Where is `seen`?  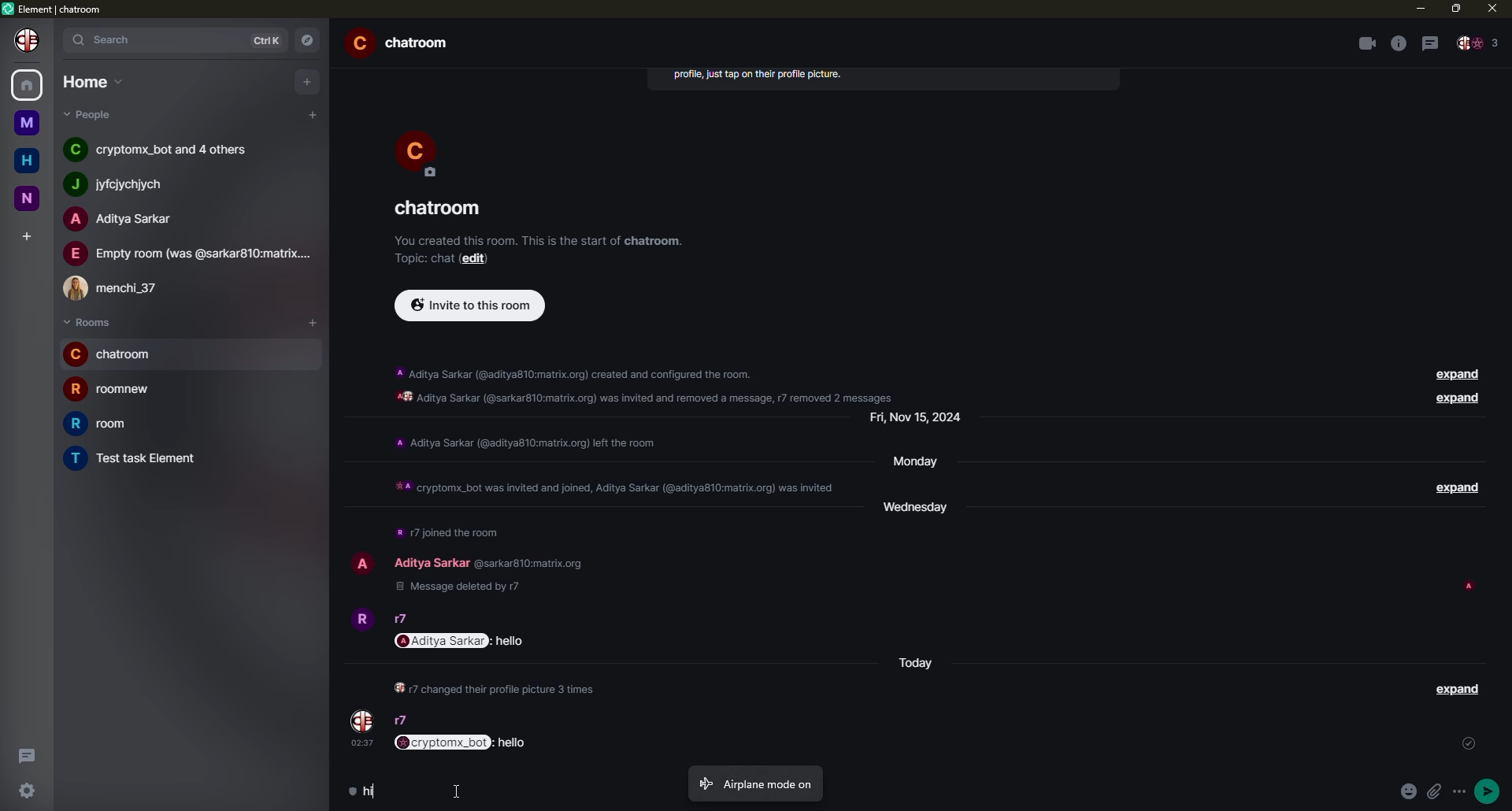
seen is located at coordinates (1468, 585).